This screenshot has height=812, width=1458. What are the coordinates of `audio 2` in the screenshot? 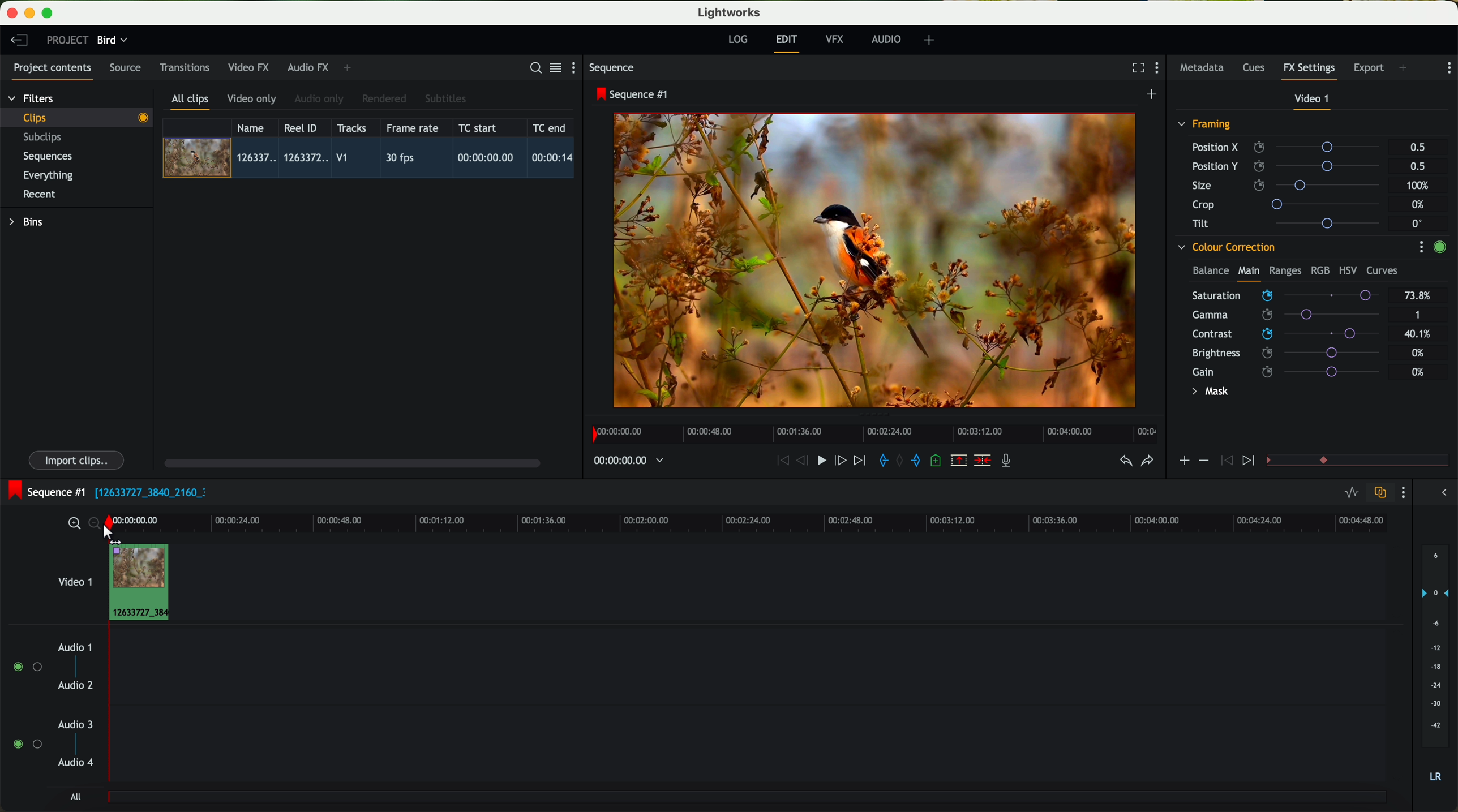 It's located at (76, 686).